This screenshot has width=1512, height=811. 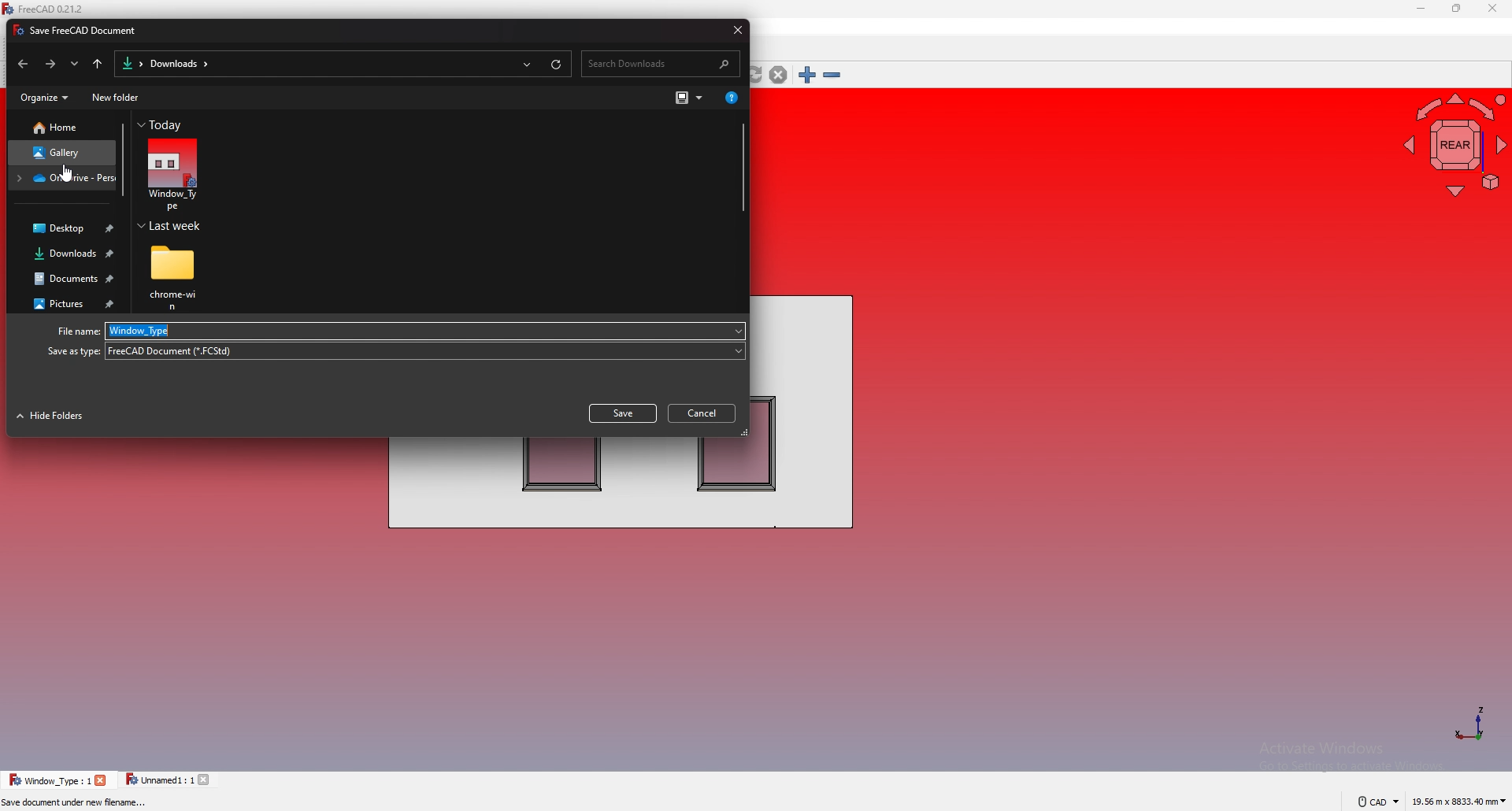 What do you see at coordinates (129, 63) in the screenshot?
I see `folder` at bounding box center [129, 63].